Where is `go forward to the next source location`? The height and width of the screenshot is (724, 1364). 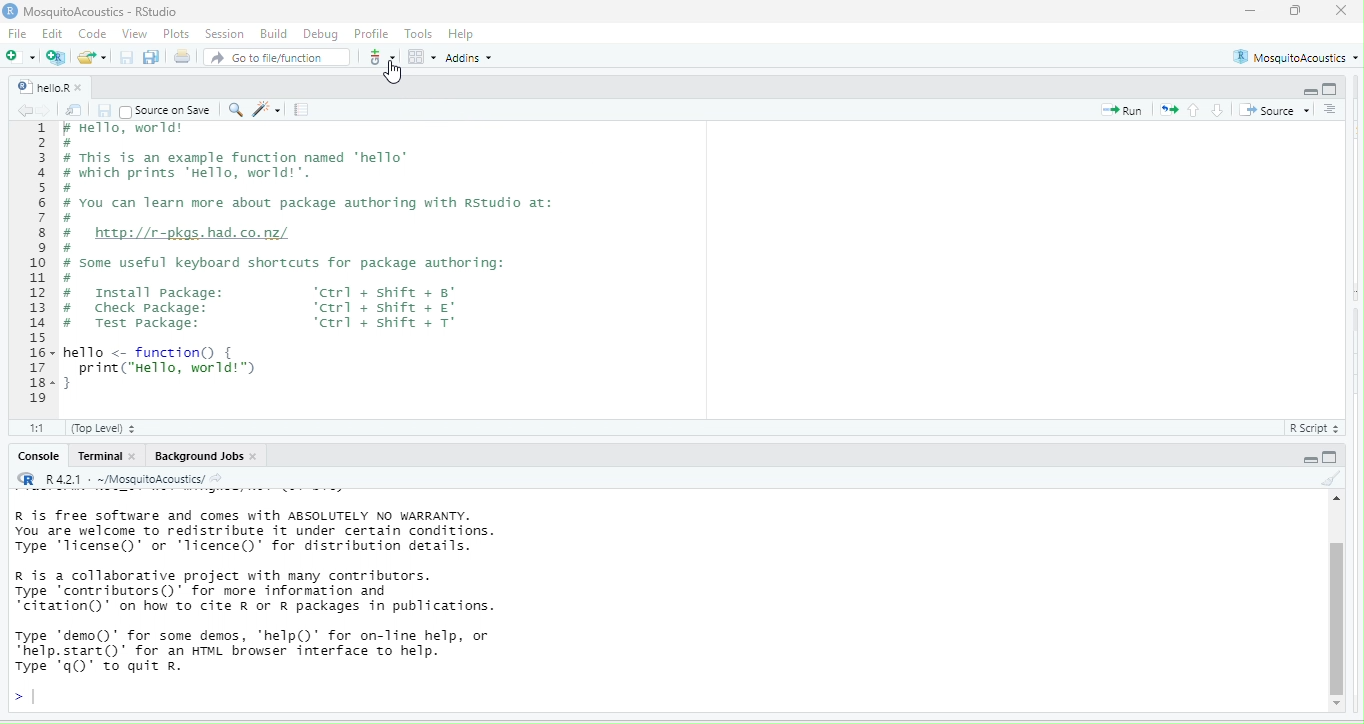 go forward to the next source location is located at coordinates (50, 110).